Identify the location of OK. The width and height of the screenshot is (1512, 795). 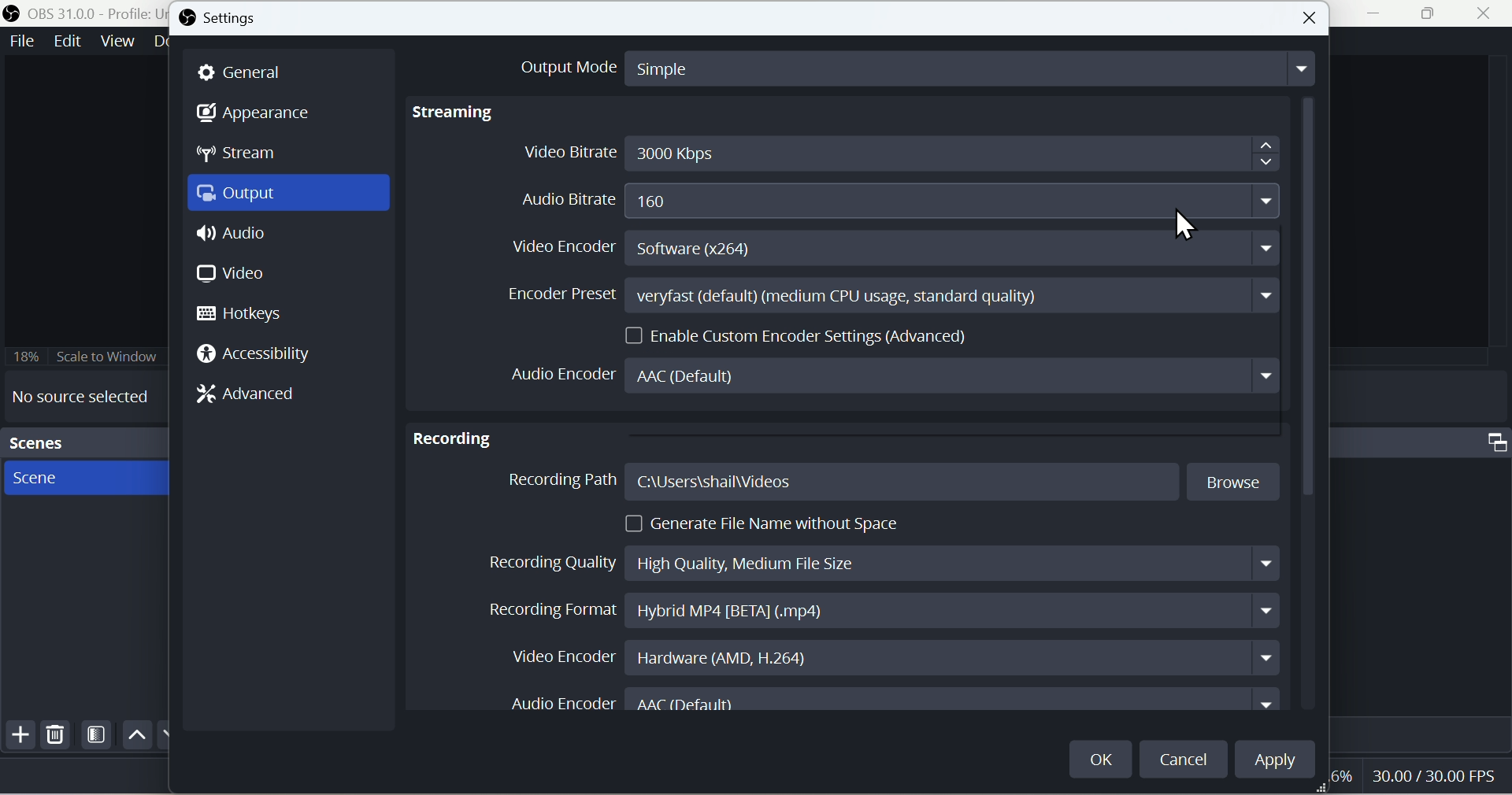
(1102, 755).